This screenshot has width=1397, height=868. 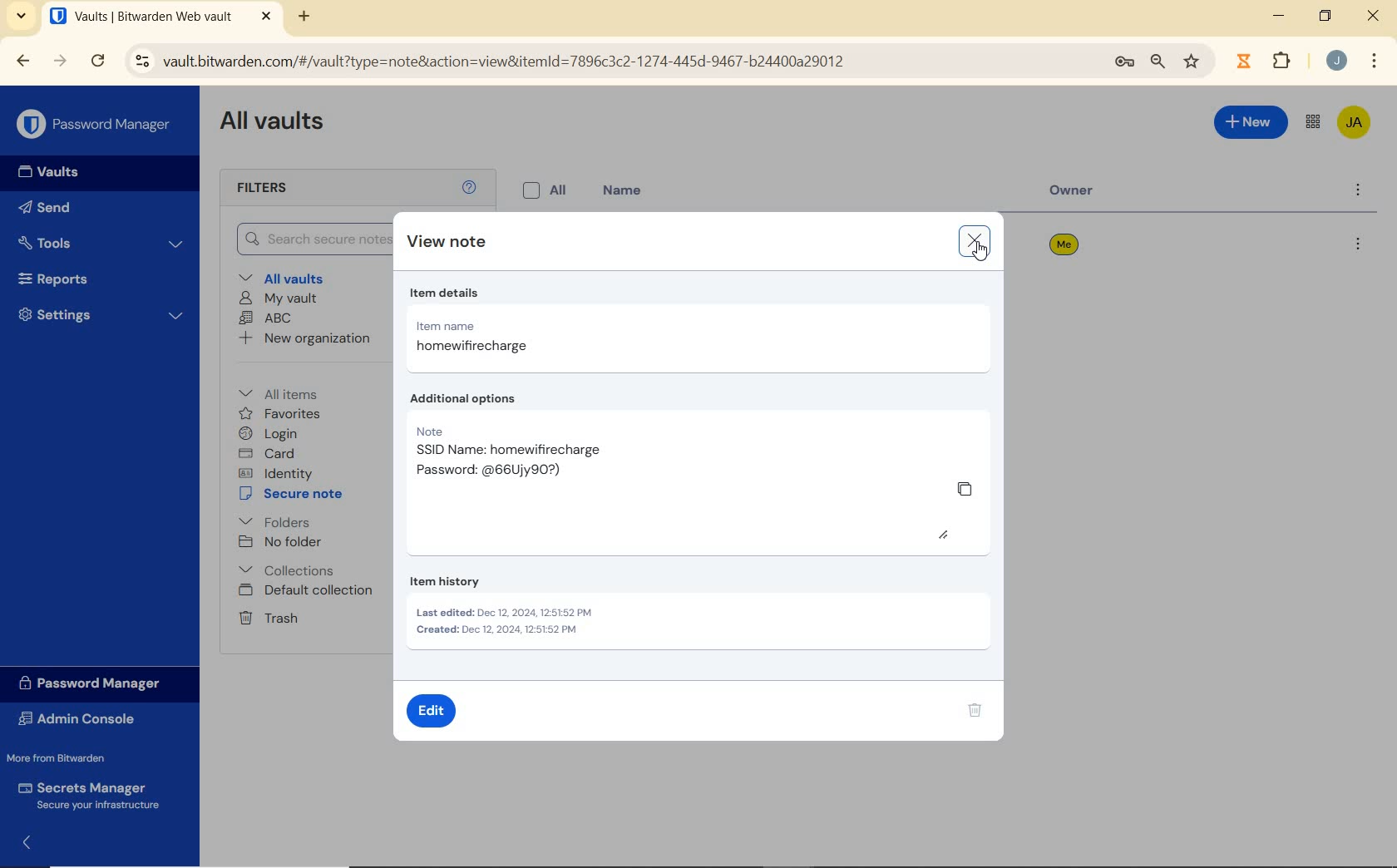 I want to click on item name, so click(x=500, y=341).